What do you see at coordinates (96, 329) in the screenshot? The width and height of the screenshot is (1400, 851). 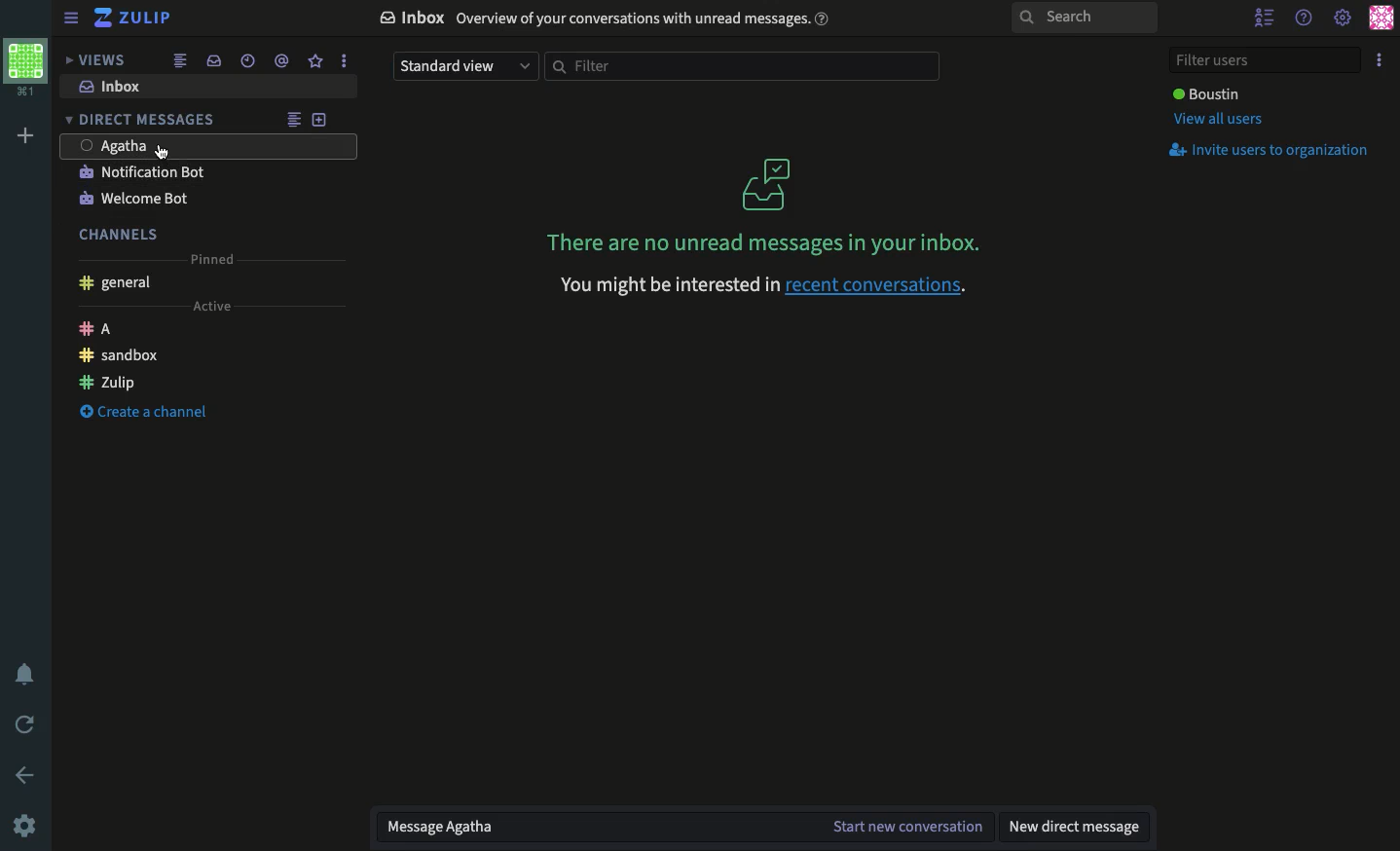 I see `A` at bounding box center [96, 329].